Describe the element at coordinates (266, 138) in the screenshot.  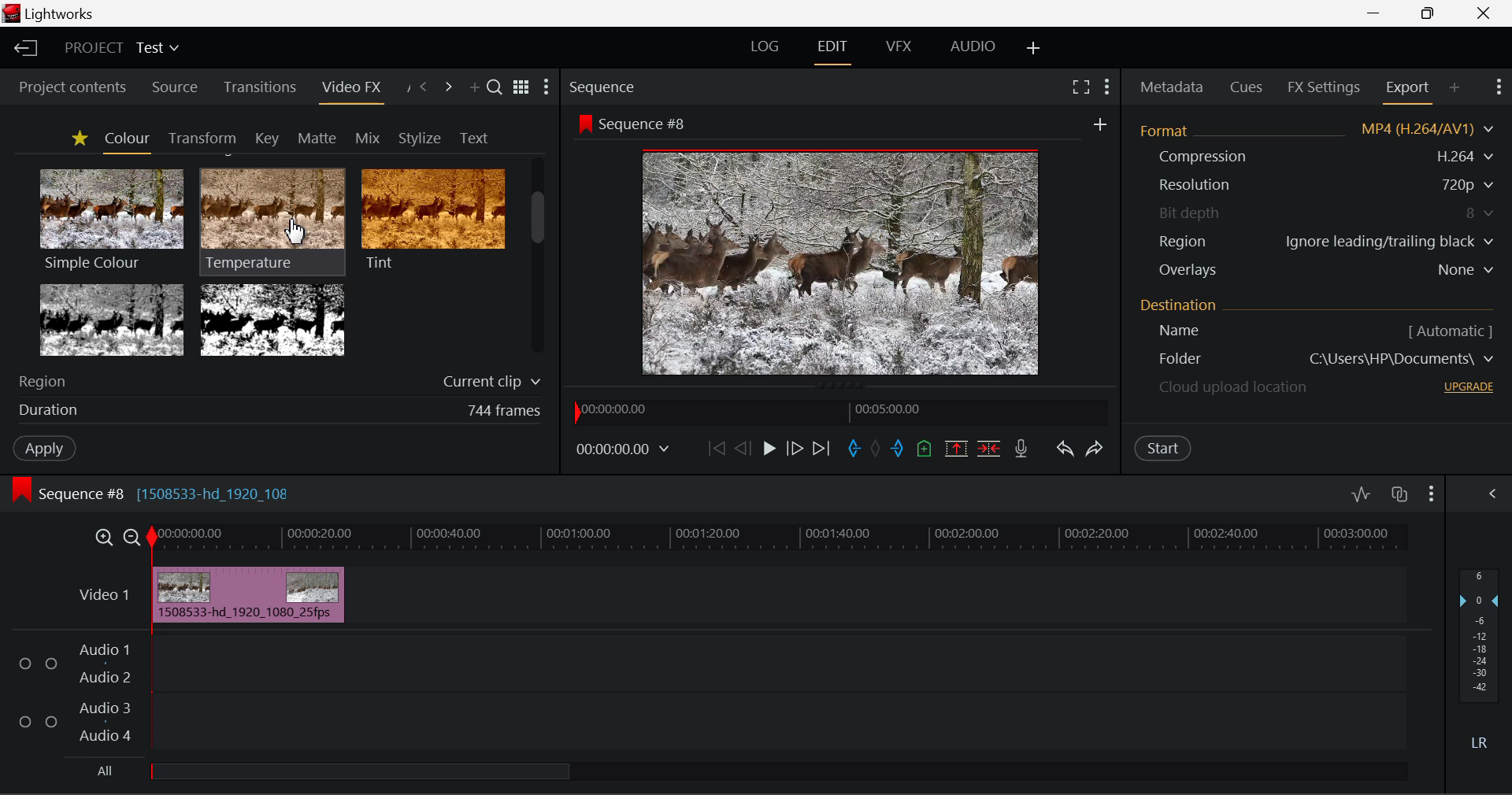
I see `Key` at that location.